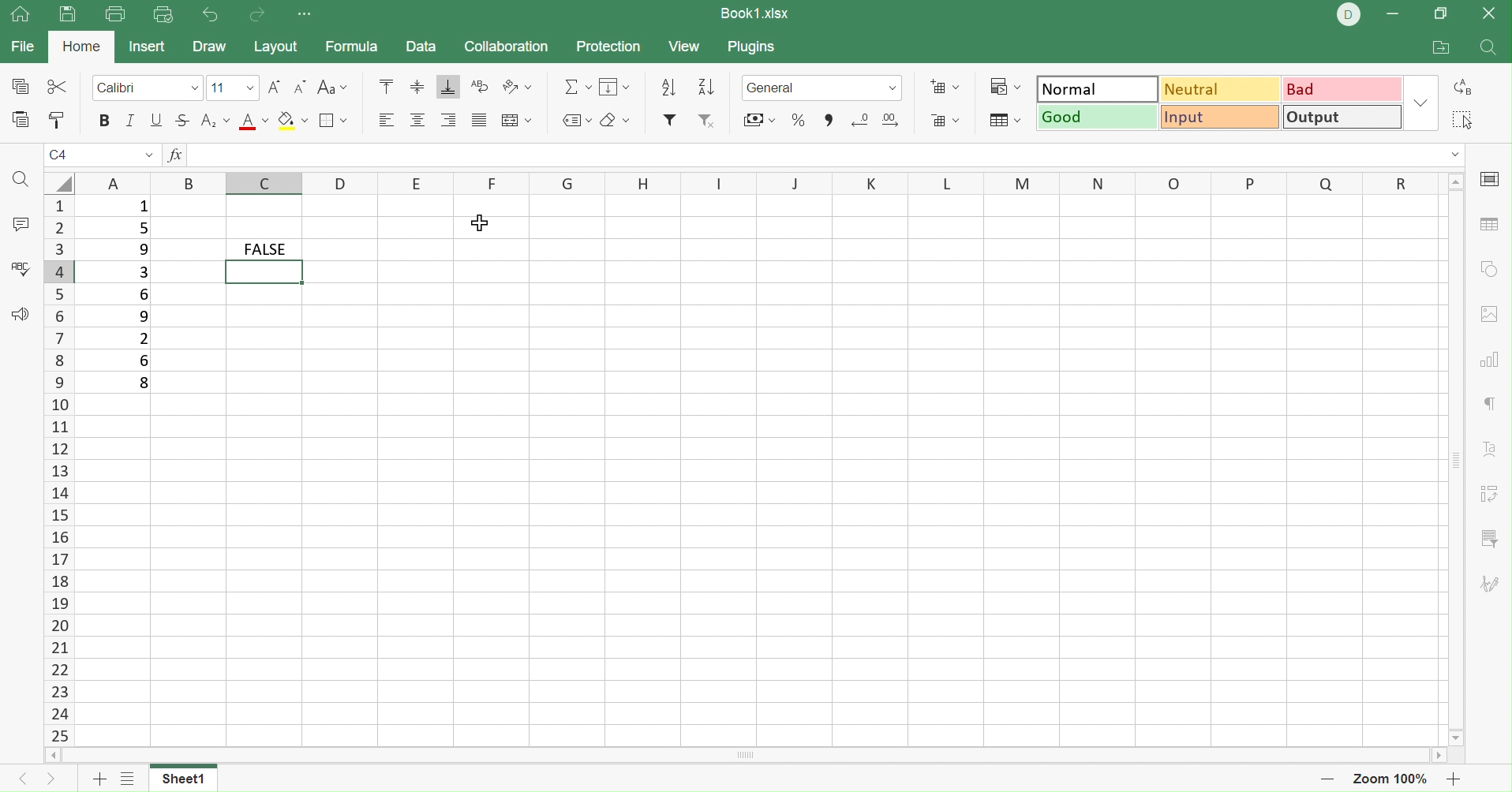 The image size is (1512, 792). What do you see at coordinates (1467, 85) in the screenshot?
I see `Replace` at bounding box center [1467, 85].